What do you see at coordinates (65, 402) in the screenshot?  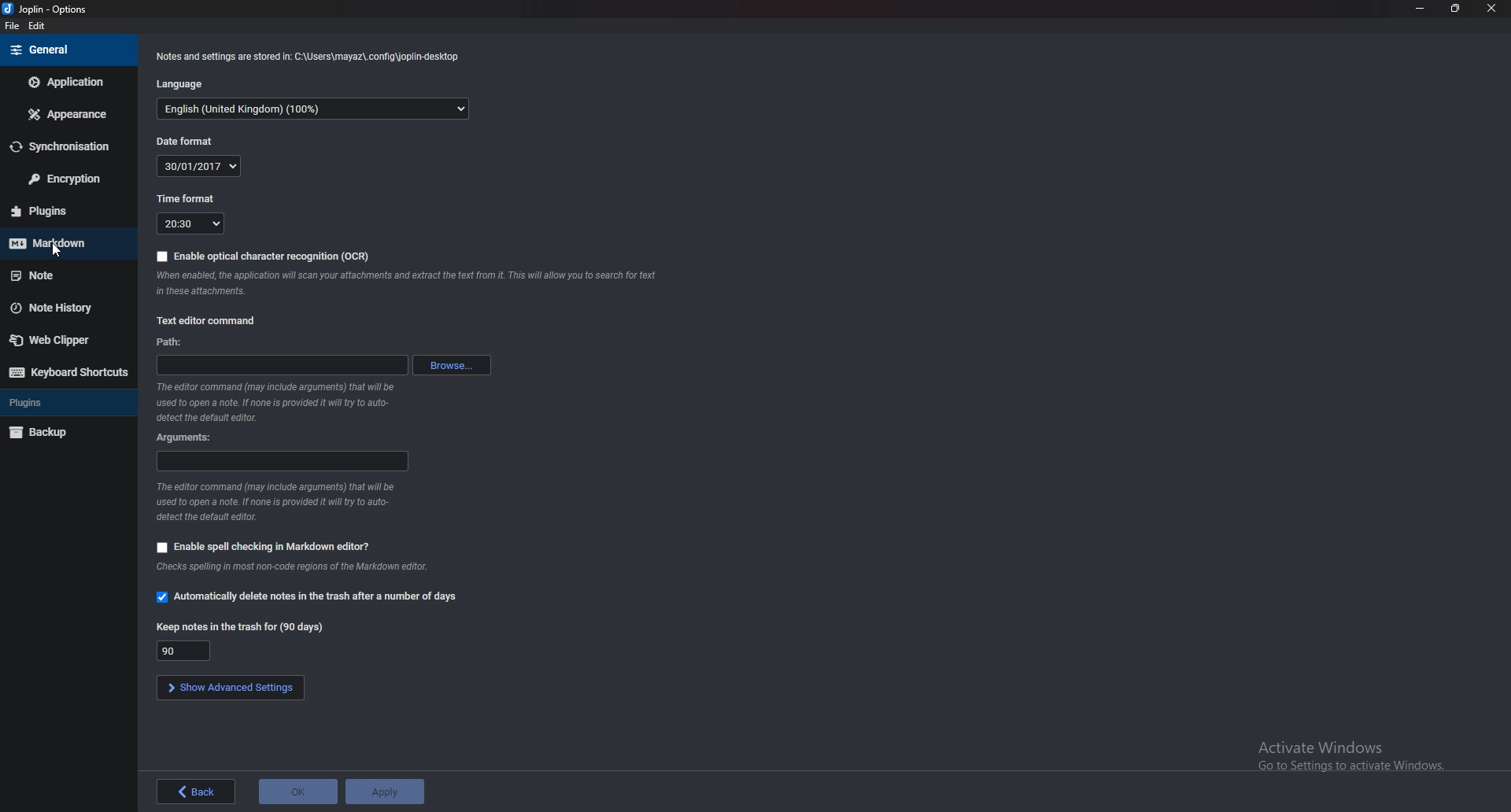 I see `Plugins` at bounding box center [65, 402].